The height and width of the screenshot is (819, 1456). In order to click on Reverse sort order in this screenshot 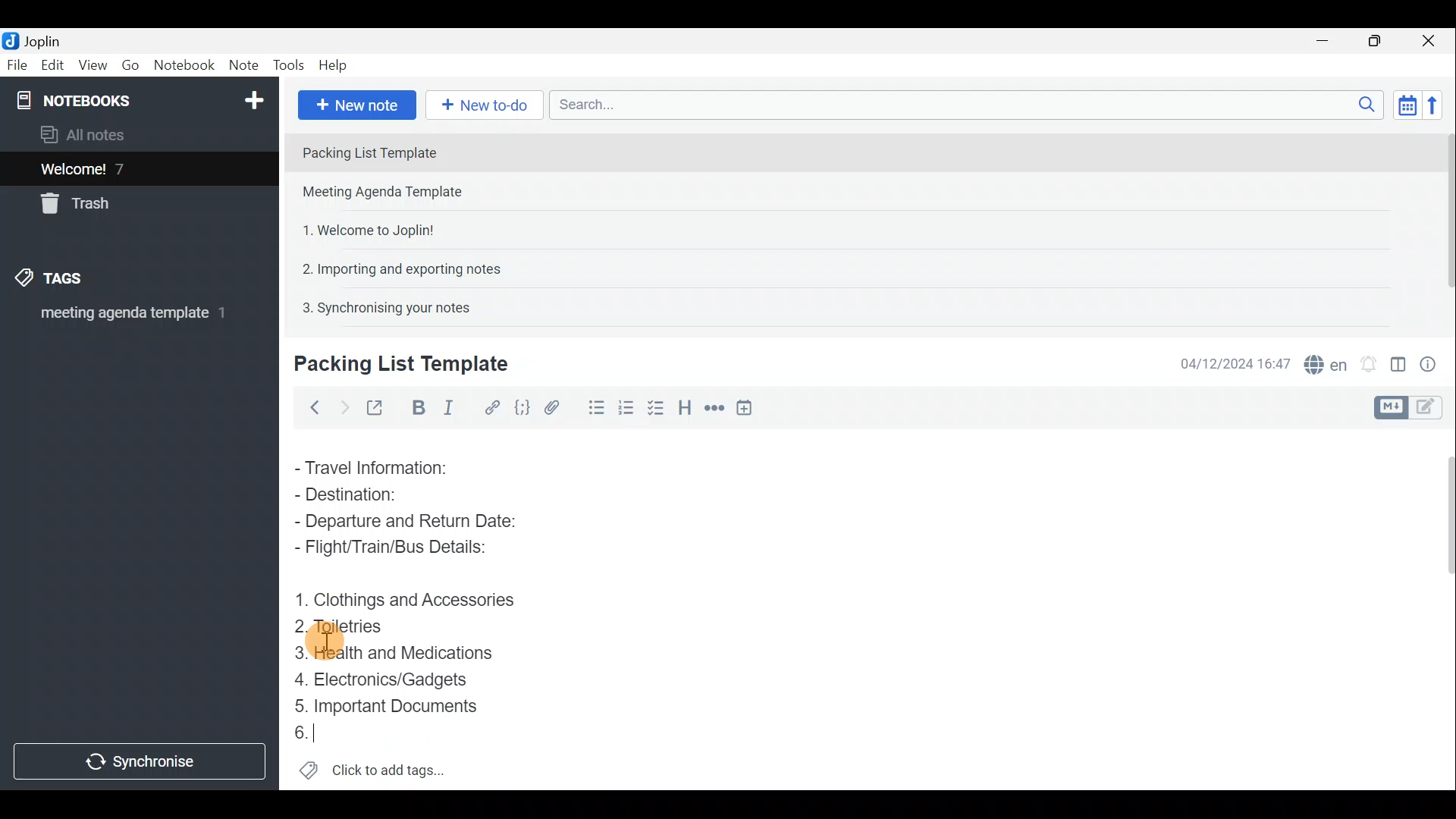, I will do `click(1438, 104)`.